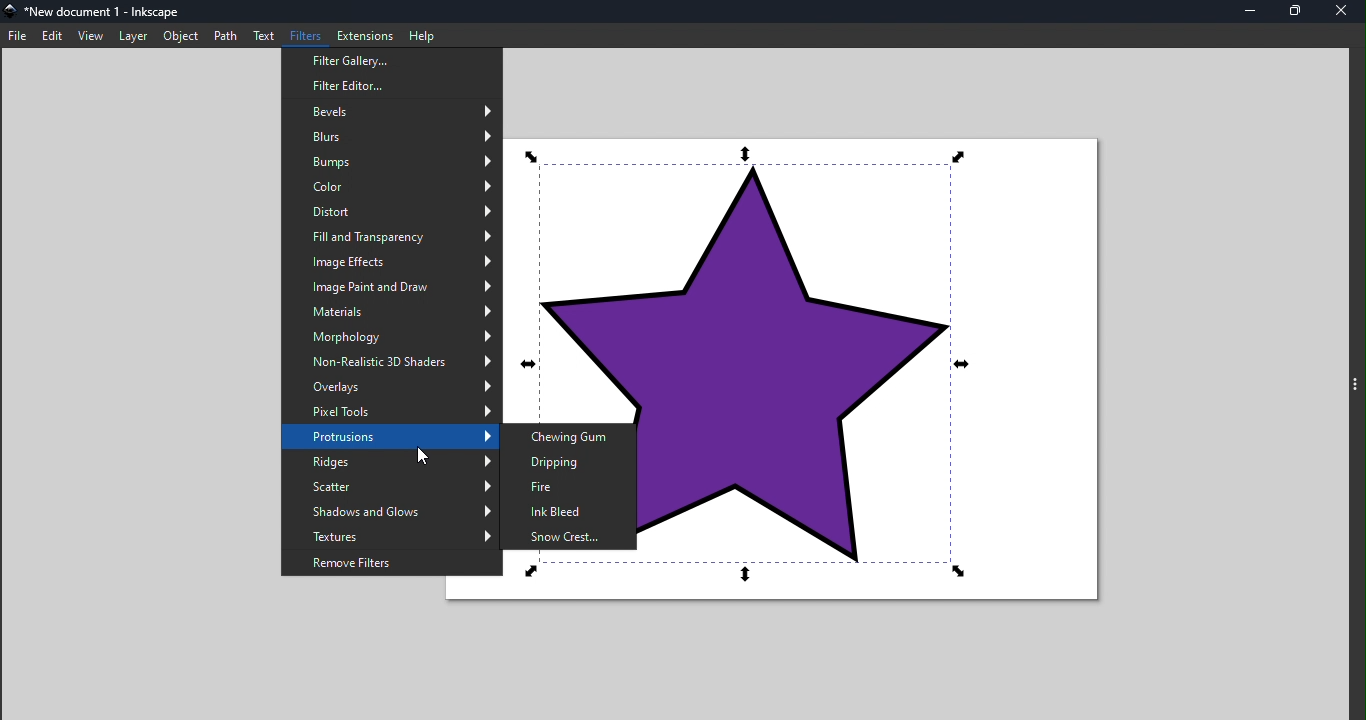 Image resolution: width=1366 pixels, height=720 pixels. Describe the element at coordinates (392, 163) in the screenshot. I see `Bumps` at that location.